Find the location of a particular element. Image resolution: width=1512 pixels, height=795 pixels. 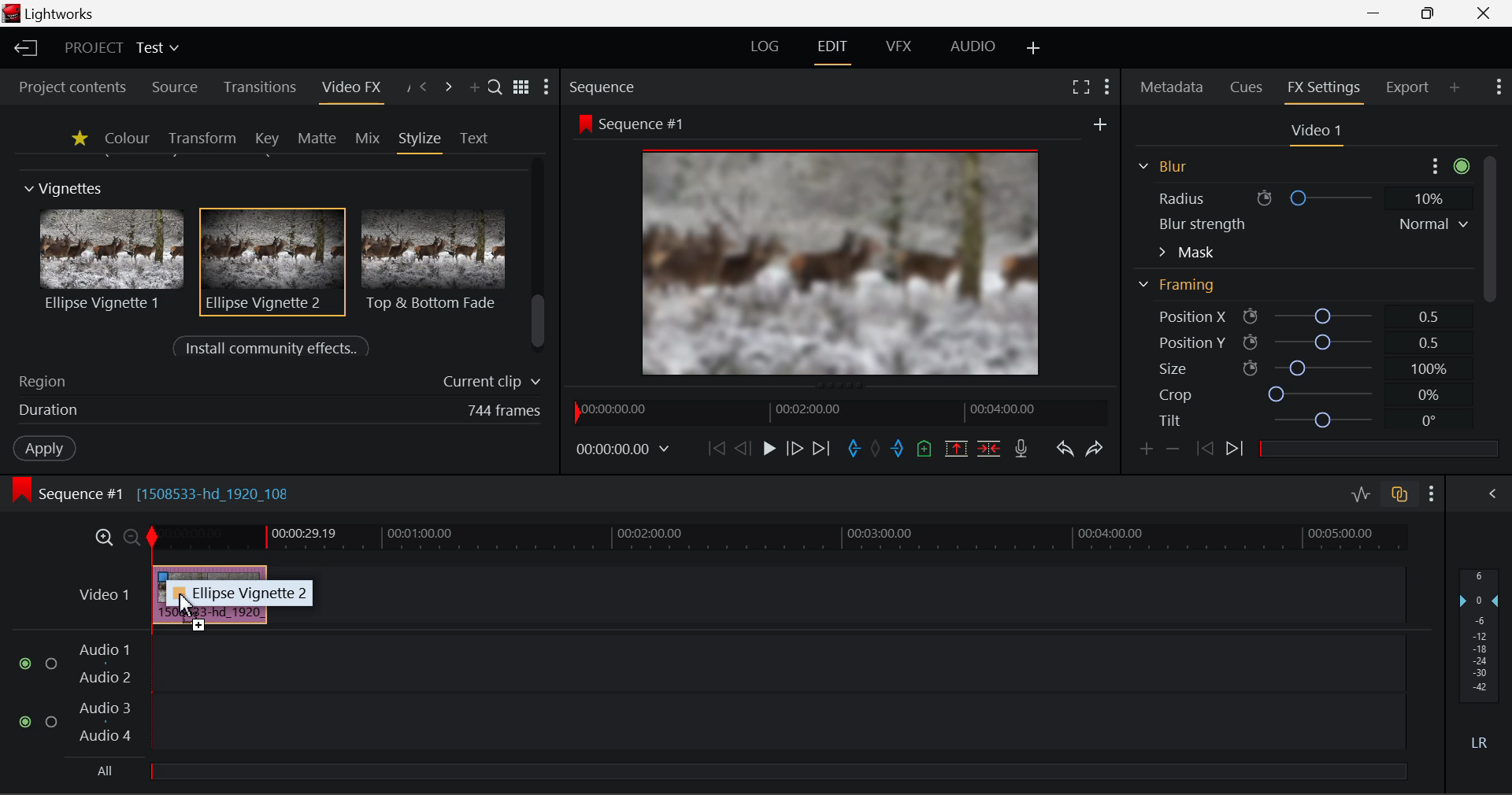

Vignettes Section is located at coordinates (65, 189).